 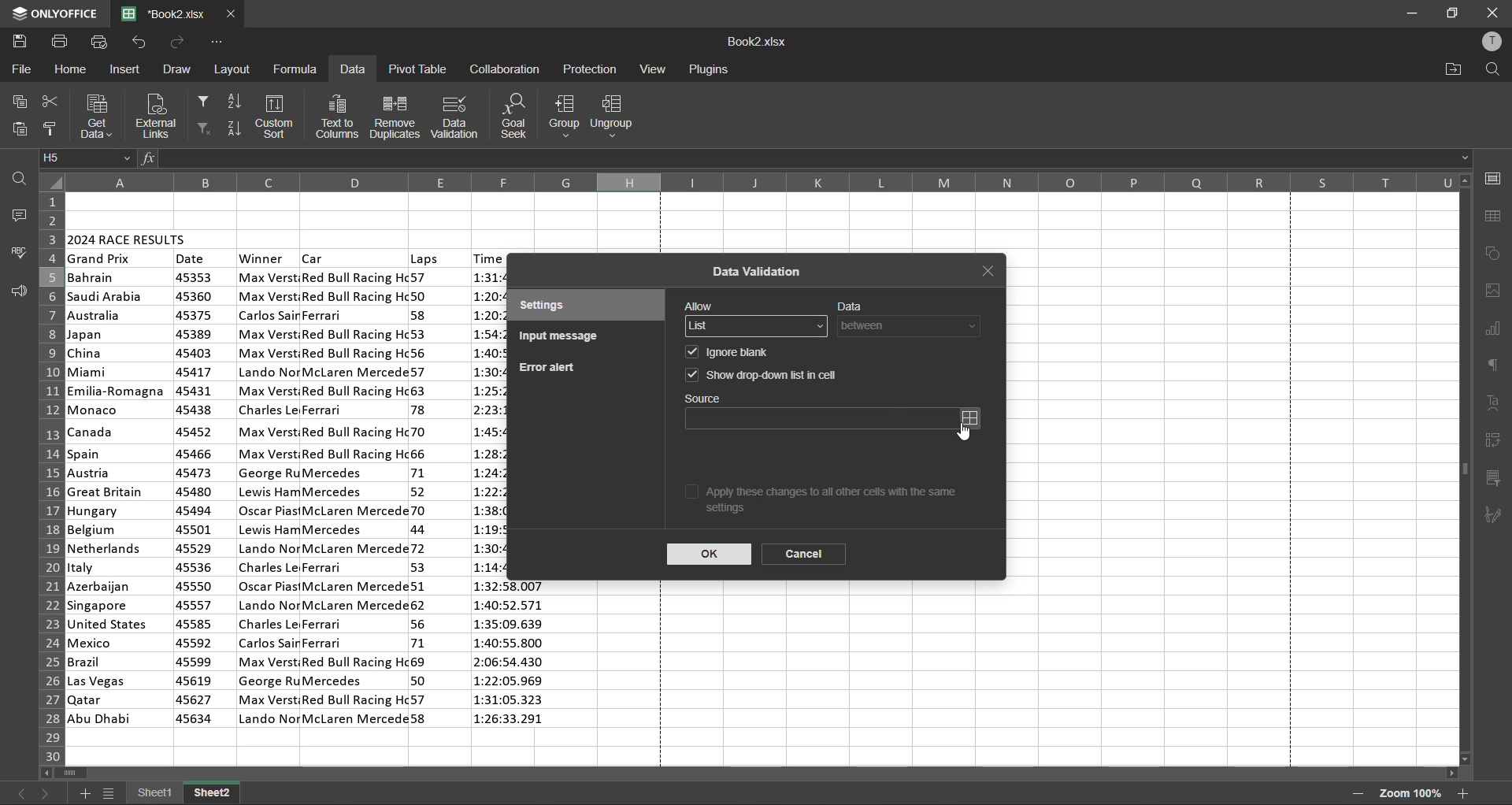 What do you see at coordinates (1496, 516) in the screenshot?
I see `signature` at bounding box center [1496, 516].